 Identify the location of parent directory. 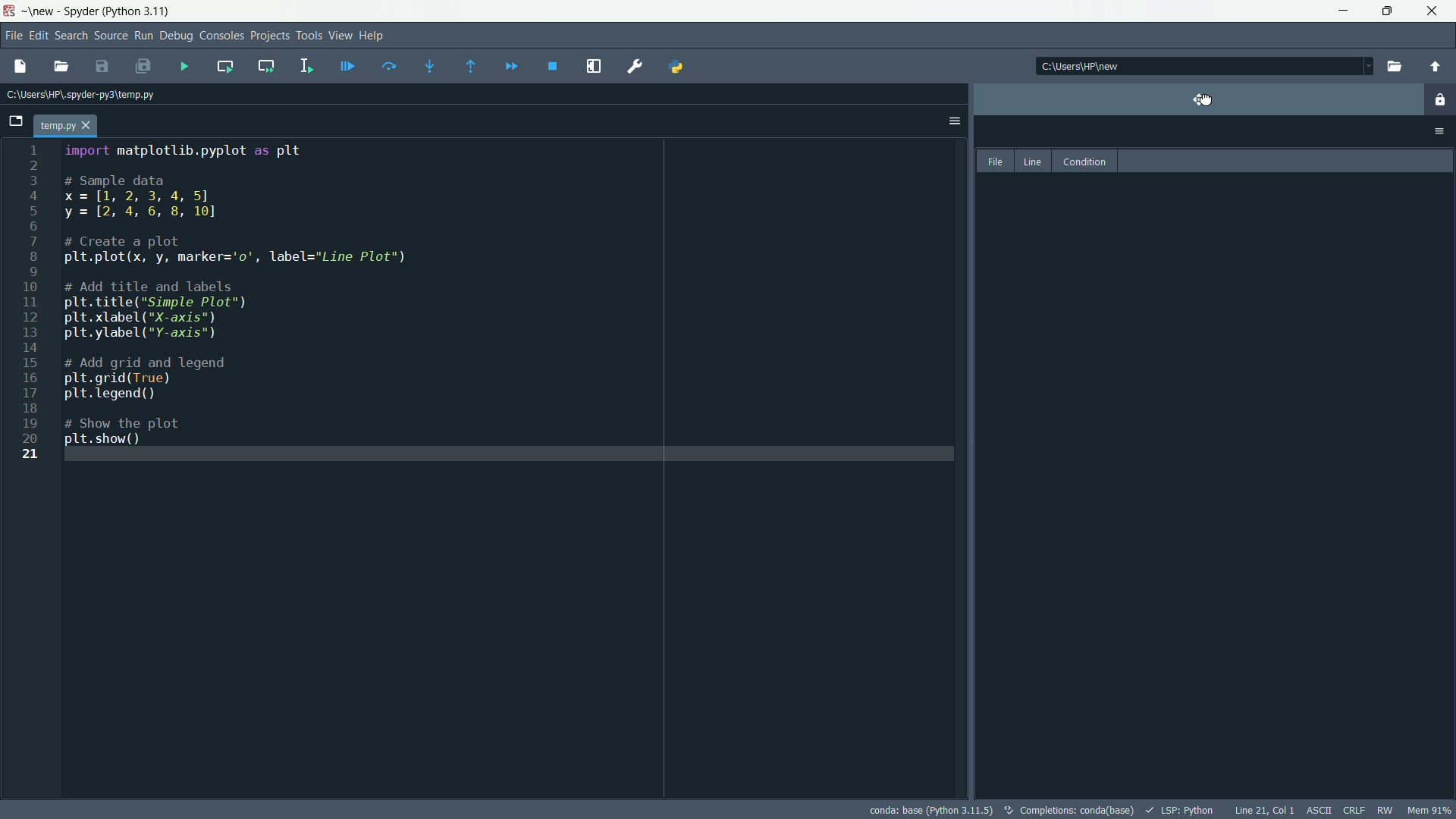
(1437, 67).